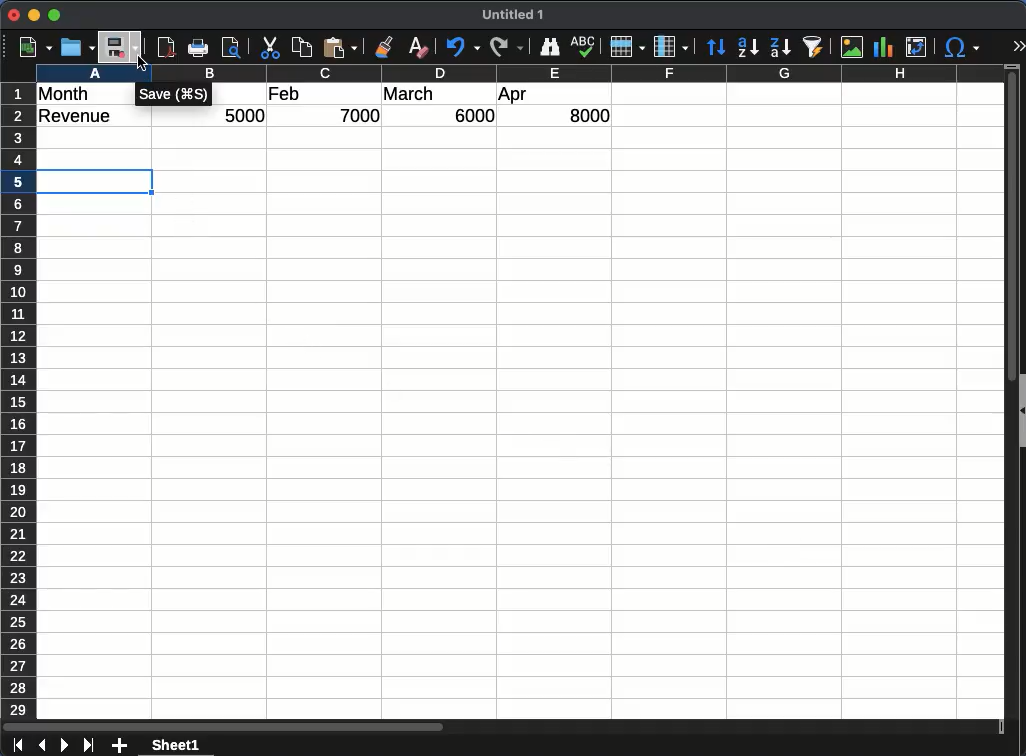 This screenshot has width=1026, height=756. I want to click on column, so click(671, 46).